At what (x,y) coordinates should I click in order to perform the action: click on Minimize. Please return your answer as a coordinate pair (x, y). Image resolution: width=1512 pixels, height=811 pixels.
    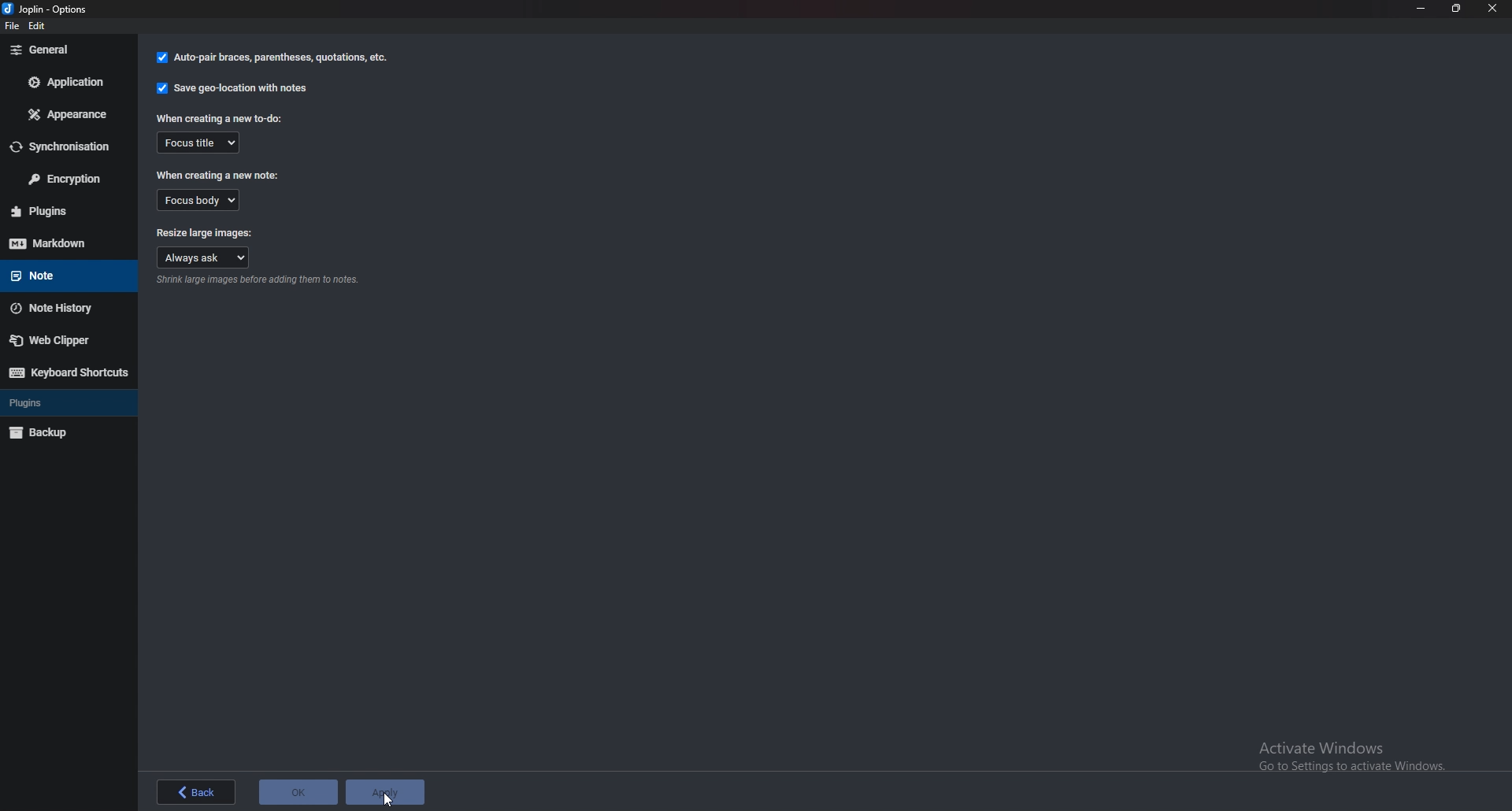
    Looking at the image, I should click on (1420, 9).